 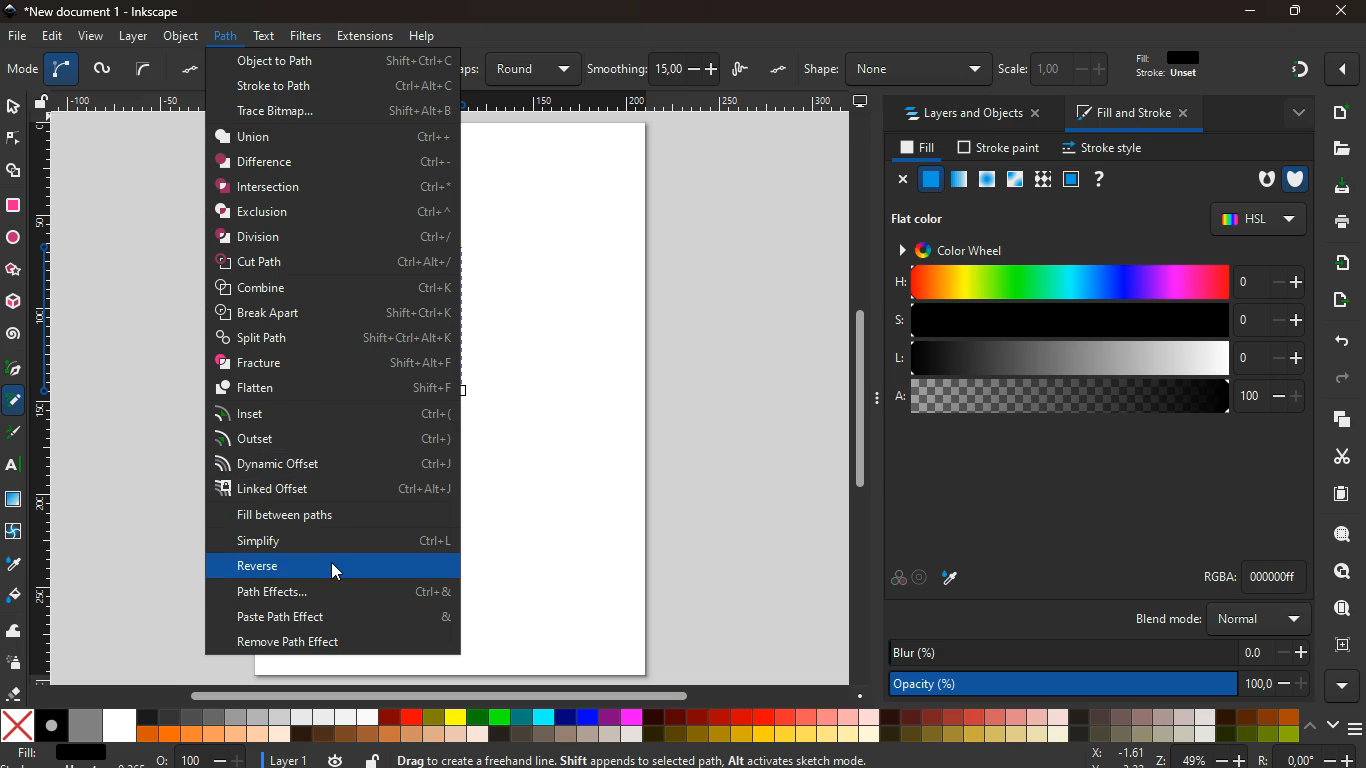 What do you see at coordinates (1335, 419) in the screenshot?
I see `layers` at bounding box center [1335, 419].